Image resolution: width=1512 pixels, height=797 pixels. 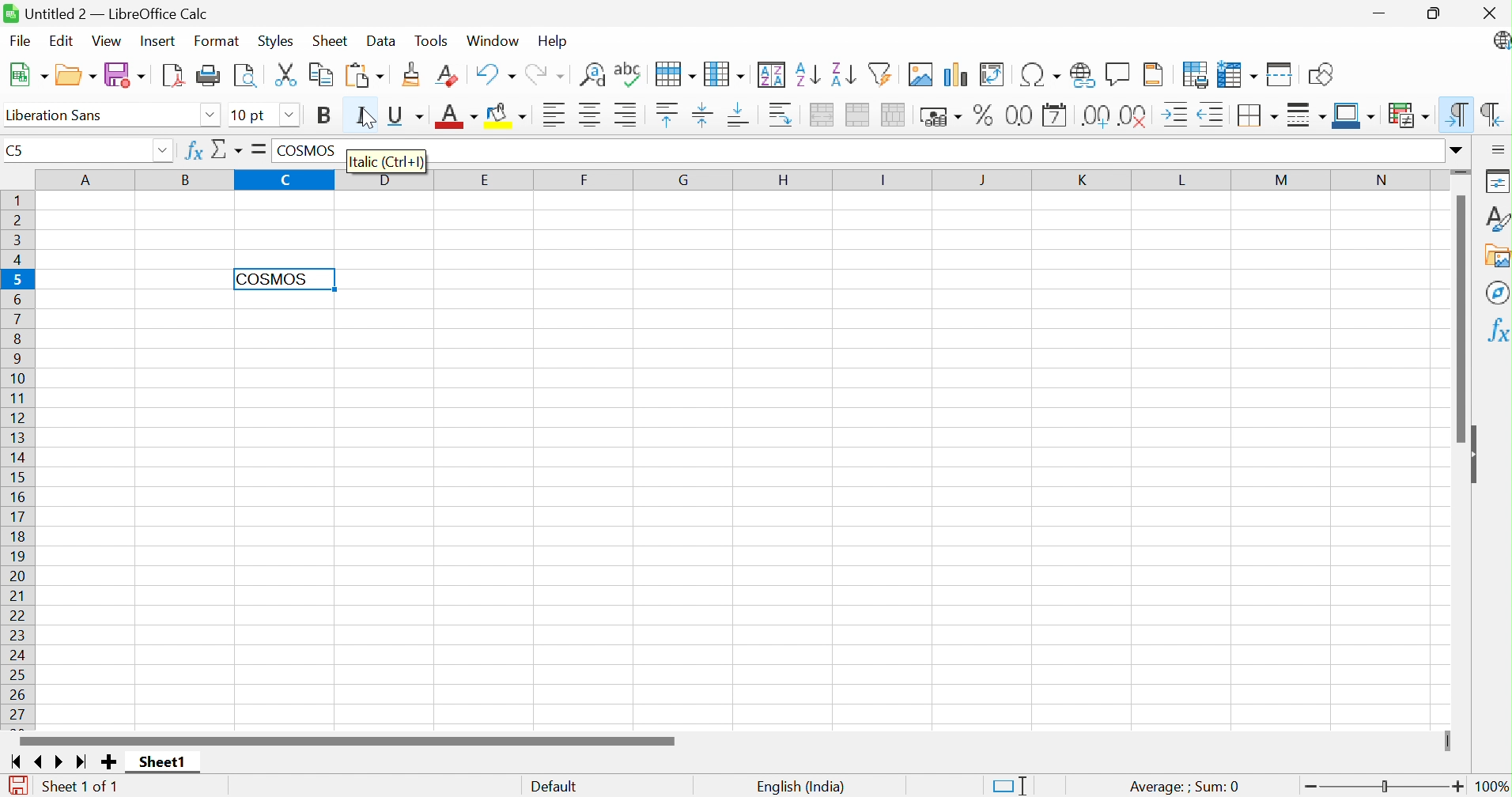 I want to click on Toggle print as preview, so click(x=244, y=78).